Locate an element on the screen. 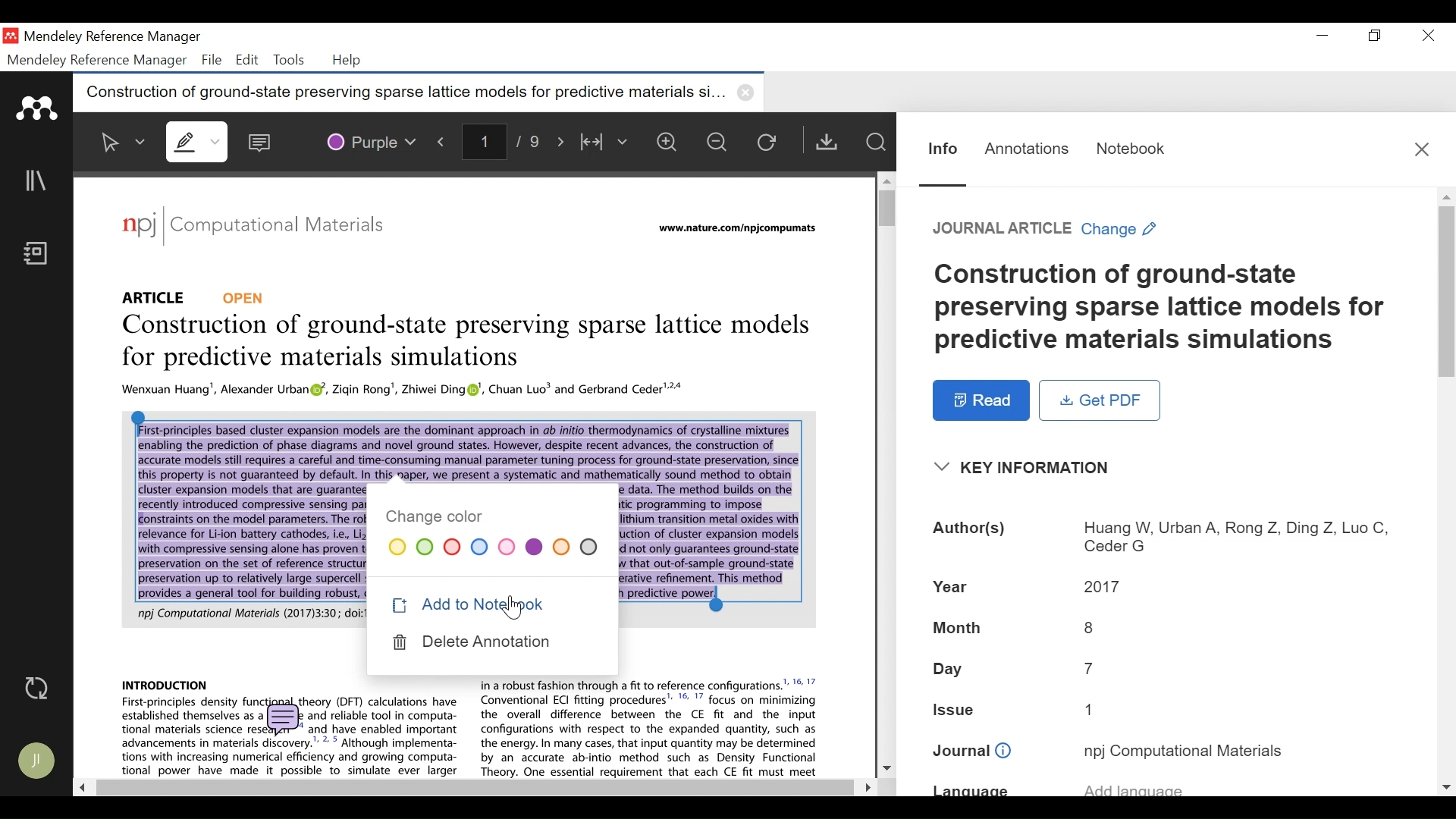 Image resolution: width=1456 pixels, height=819 pixels. Journal is located at coordinates (972, 752).